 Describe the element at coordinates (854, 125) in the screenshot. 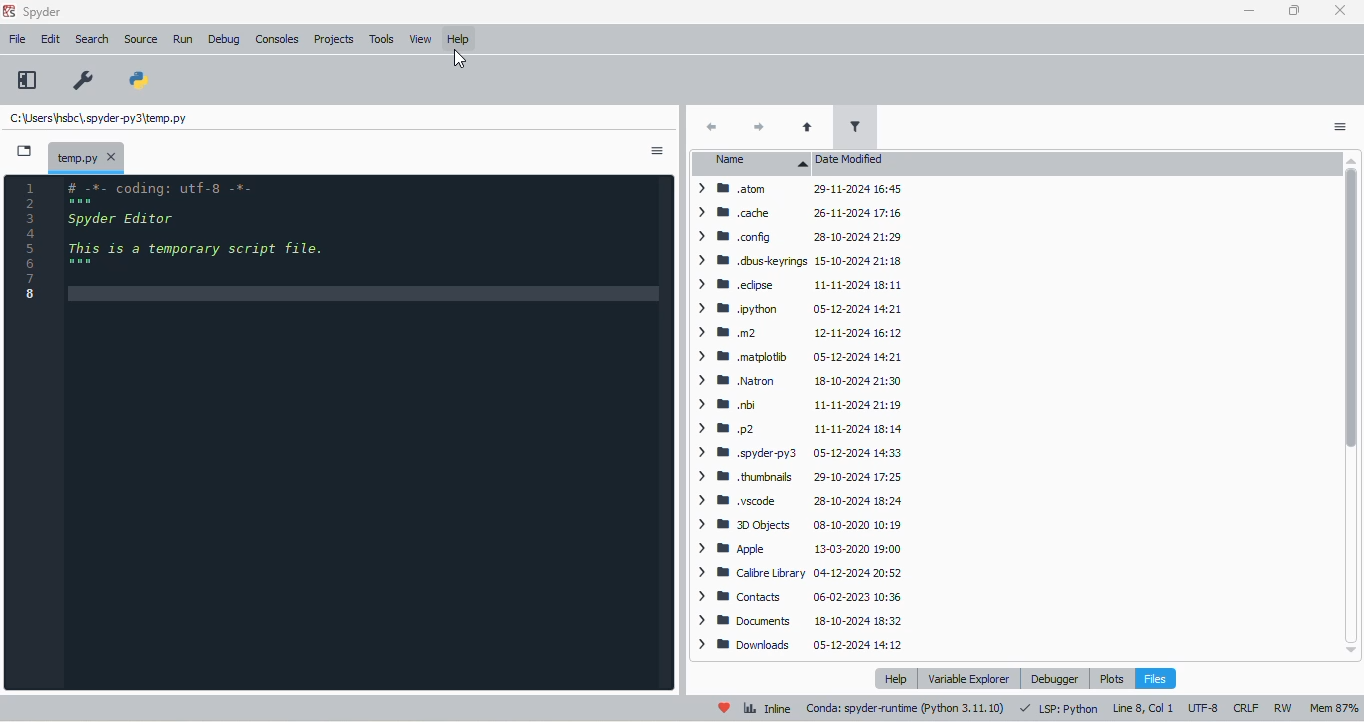

I see `filter` at that location.